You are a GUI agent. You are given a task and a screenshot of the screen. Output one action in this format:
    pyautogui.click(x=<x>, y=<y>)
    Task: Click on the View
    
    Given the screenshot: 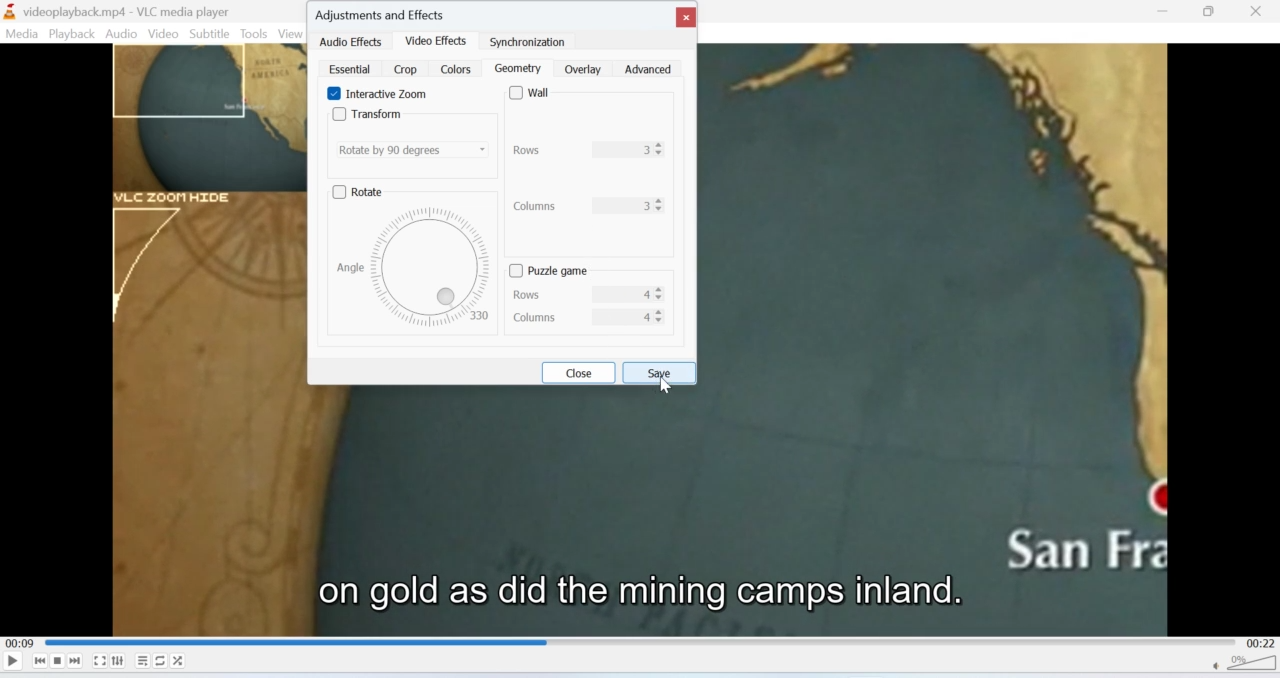 What is the action you would take?
    pyautogui.click(x=291, y=34)
    